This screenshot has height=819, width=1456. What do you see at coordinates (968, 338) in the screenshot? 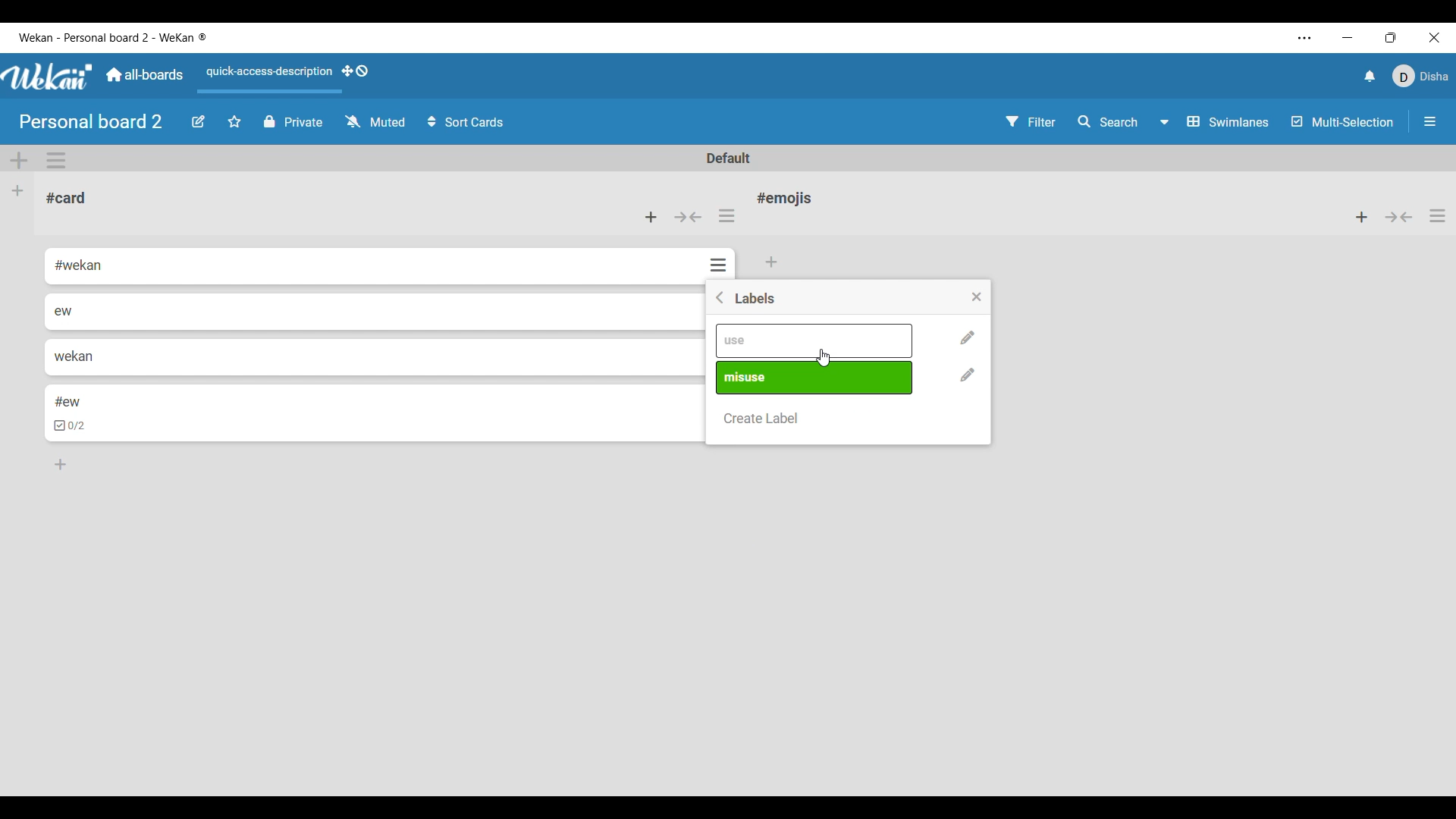
I see `Change name and color of respective label` at bounding box center [968, 338].